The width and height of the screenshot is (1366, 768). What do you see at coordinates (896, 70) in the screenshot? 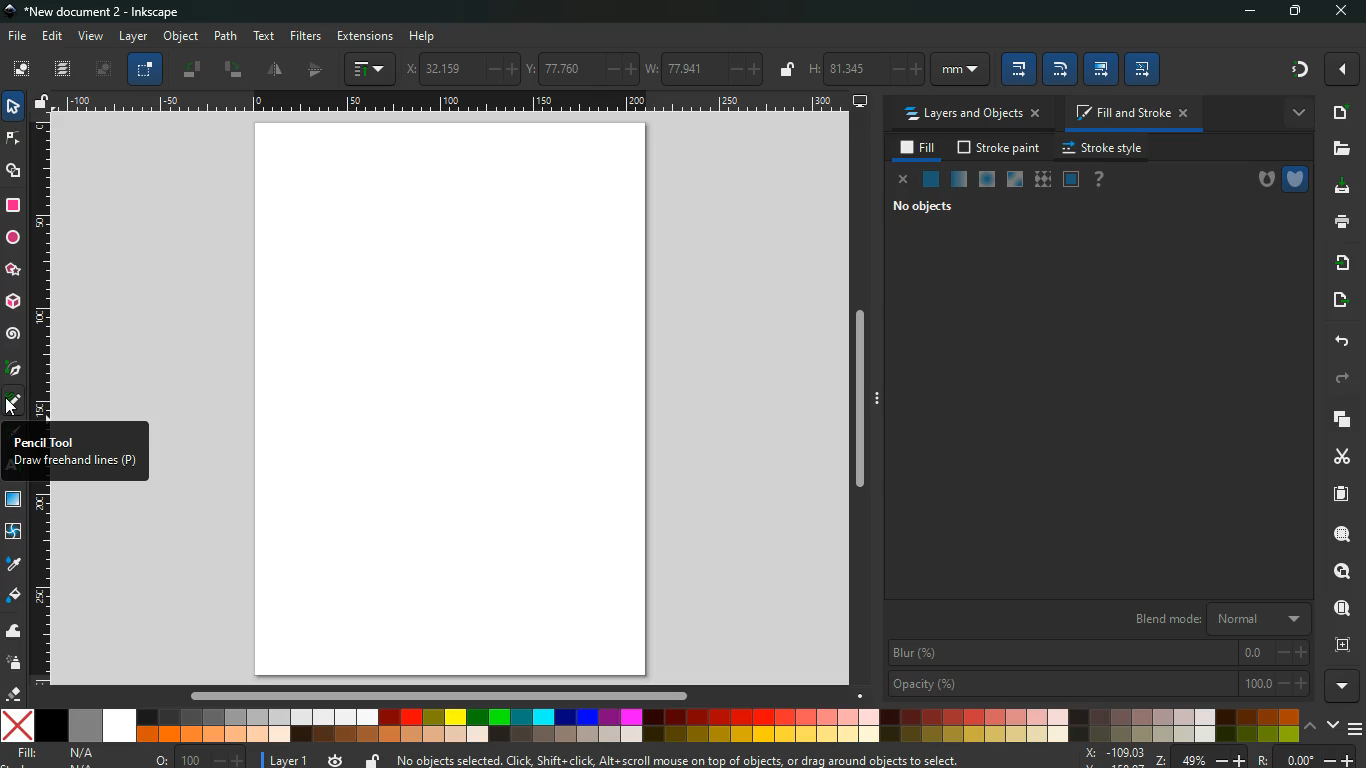
I see `h` at bounding box center [896, 70].